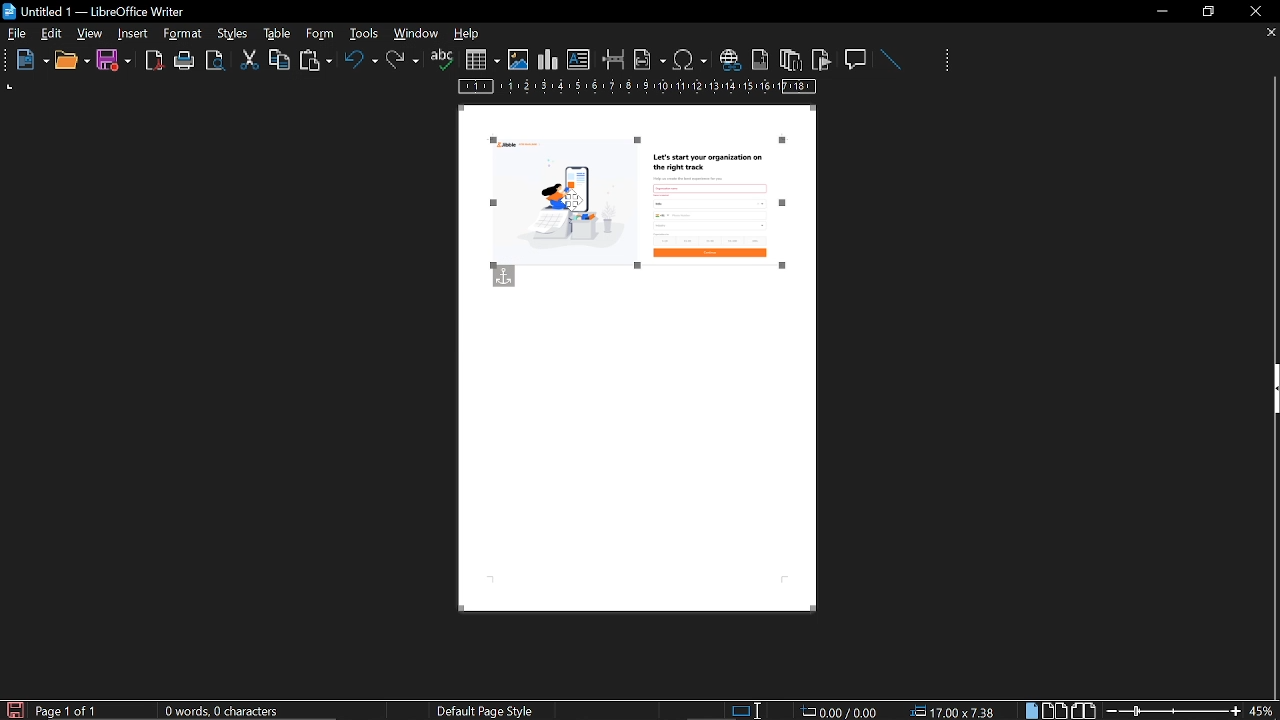 This screenshot has width=1280, height=720. Describe the element at coordinates (71, 61) in the screenshot. I see `open` at that location.